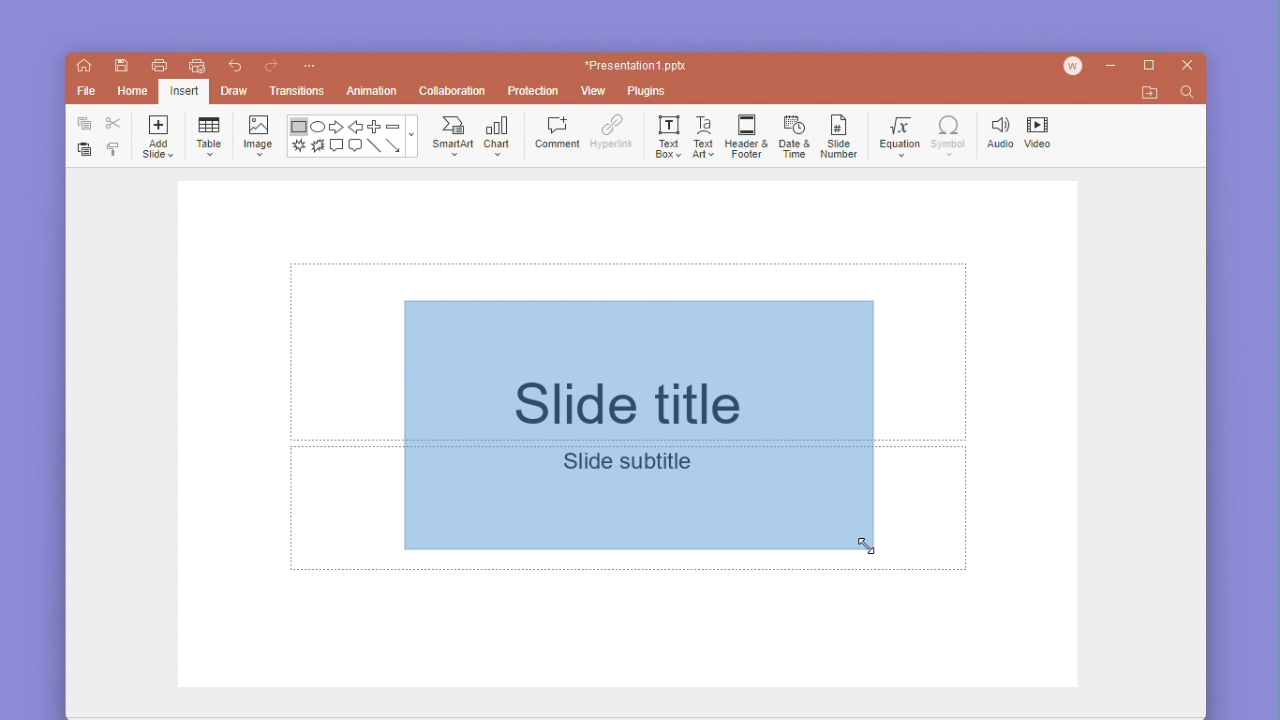 The width and height of the screenshot is (1280, 720). I want to click on cursor, so click(869, 545).